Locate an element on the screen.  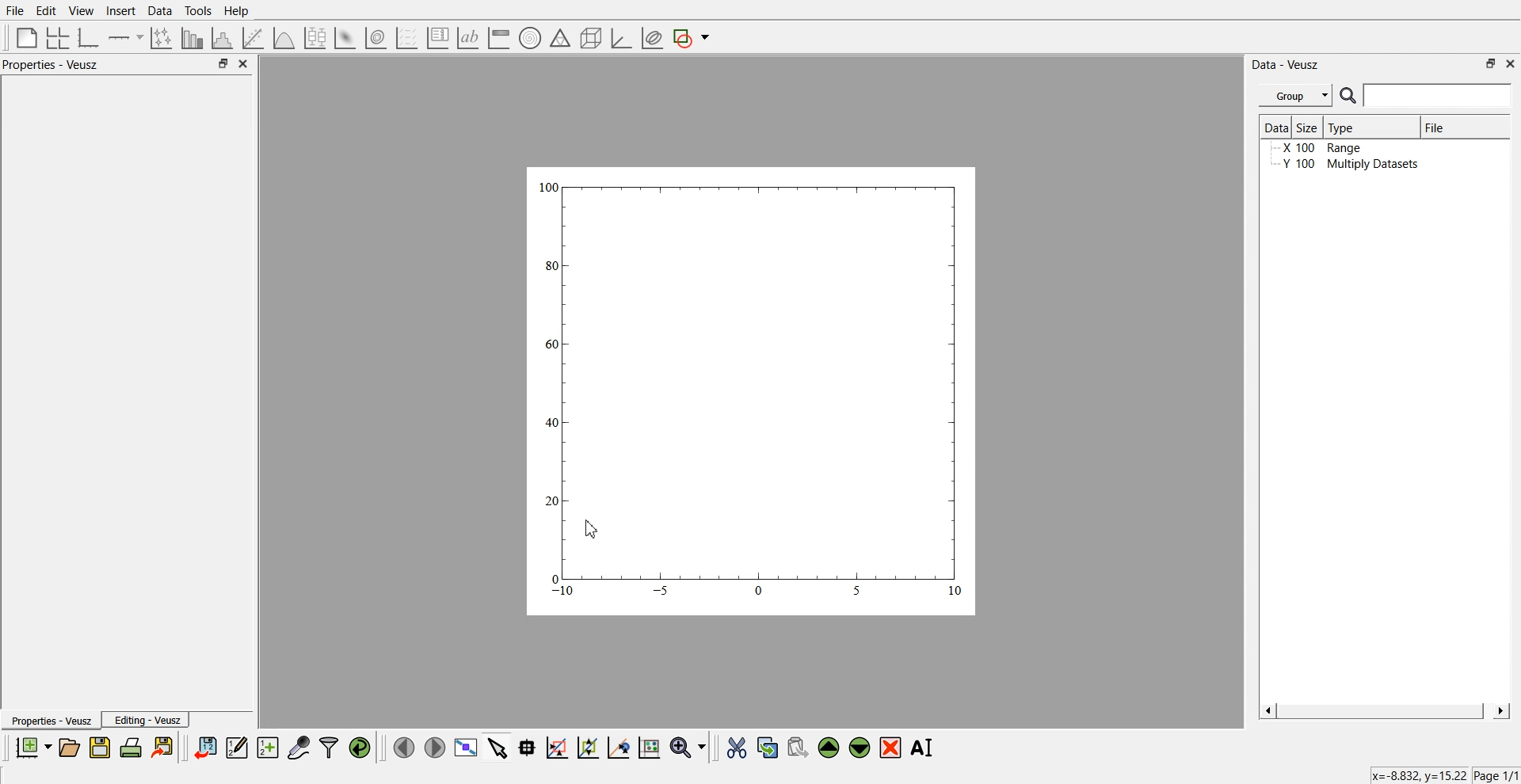
filters is located at coordinates (327, 748).